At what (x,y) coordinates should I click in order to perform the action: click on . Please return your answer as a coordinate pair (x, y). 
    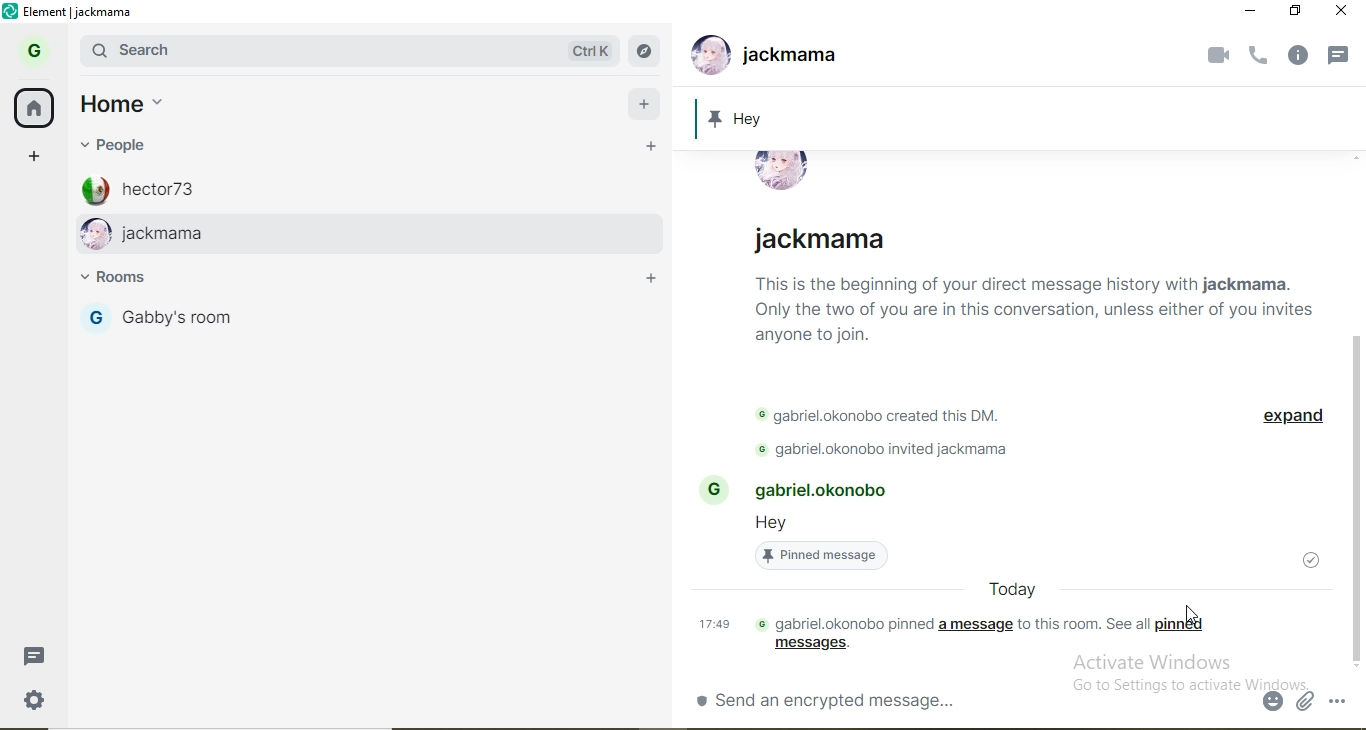
    Looking at the image, I should click on (1218, 55).